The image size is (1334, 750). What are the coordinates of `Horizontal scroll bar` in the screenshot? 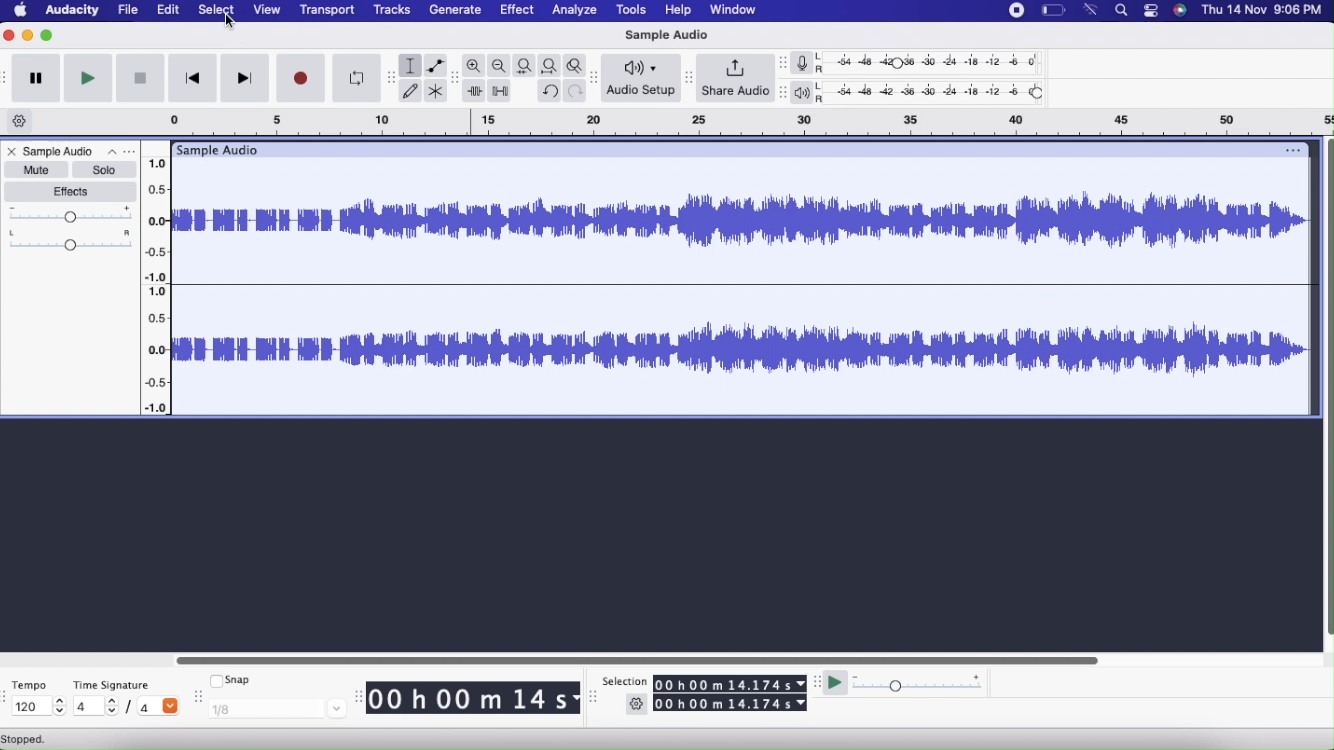 It's located at (638, 657).